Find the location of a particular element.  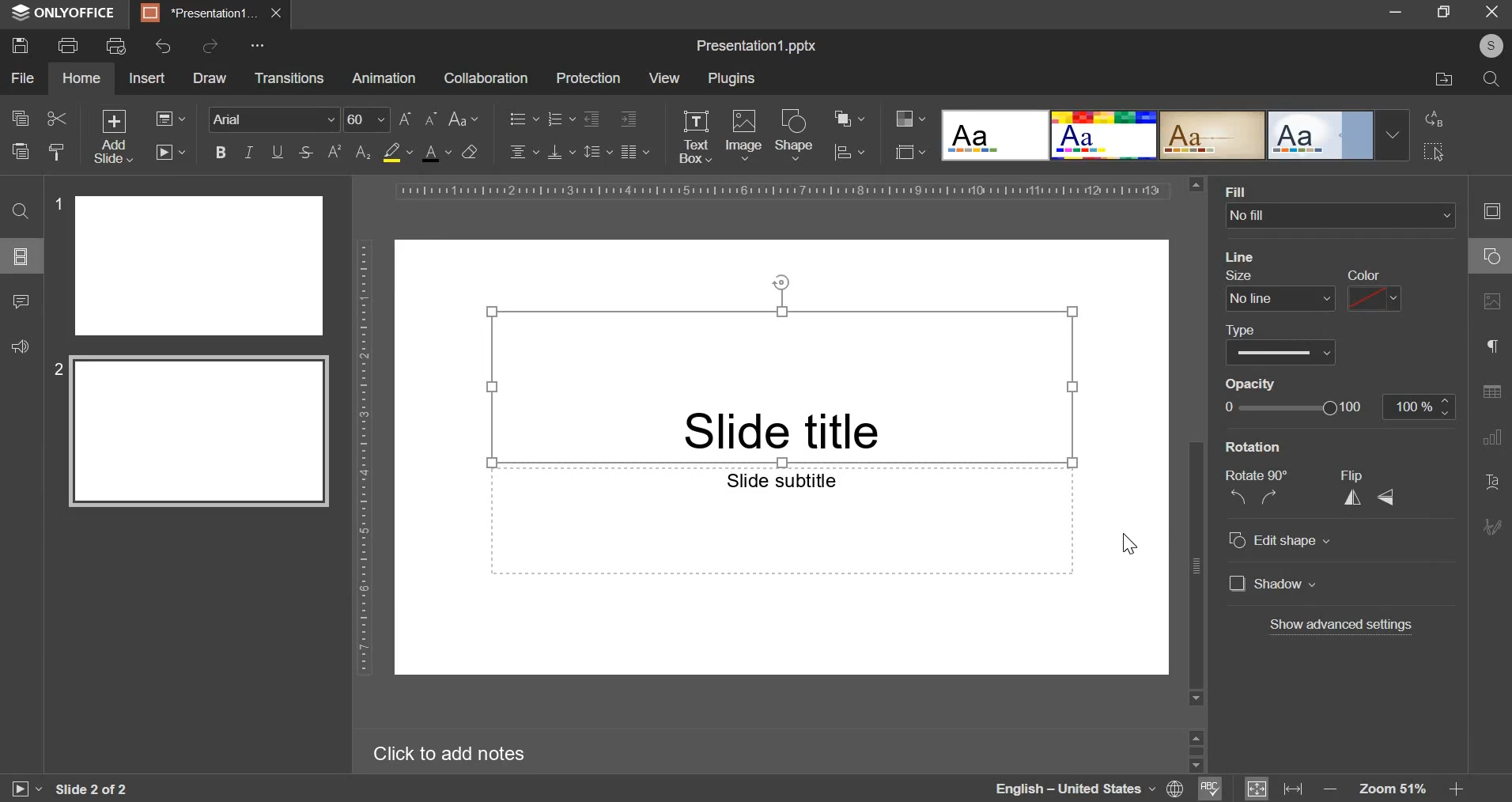

print preview is located at coordinates (116, 46).